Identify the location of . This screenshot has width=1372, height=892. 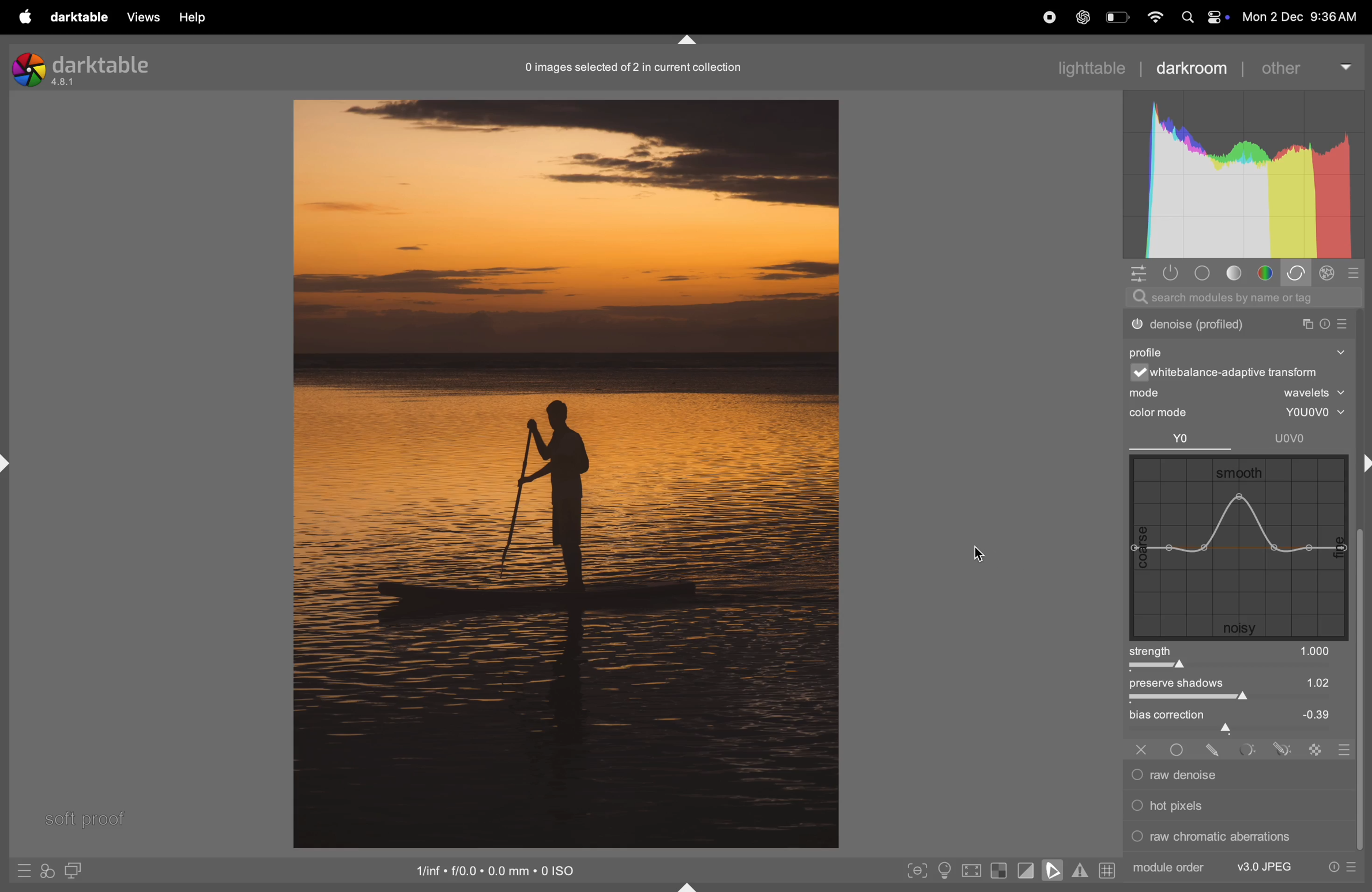
(1214, 748).